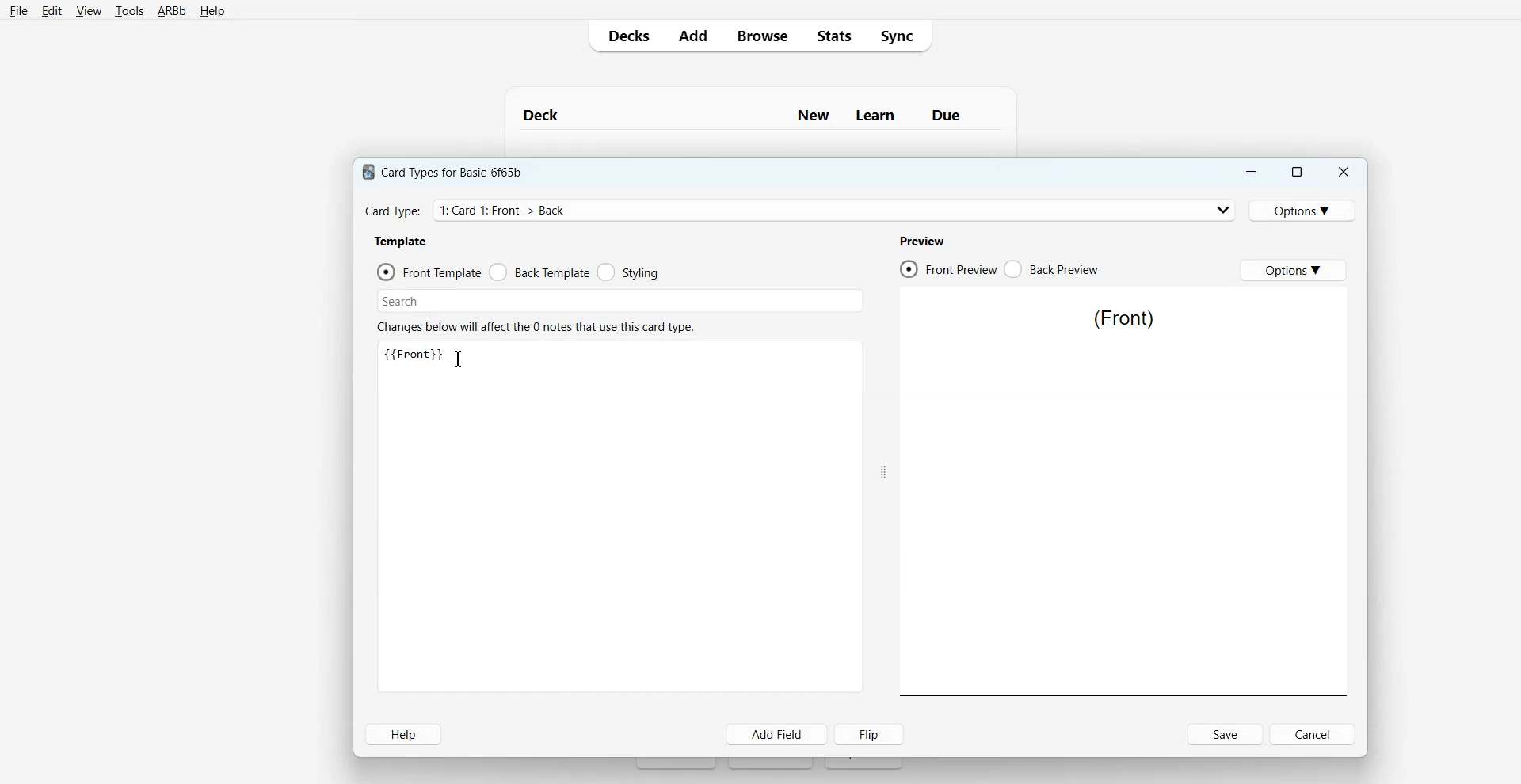 The height and width of the screenshot is (784, 1521). Describe the element at coordinates (404, 734) in the screenshot. I see `Help` at that location.